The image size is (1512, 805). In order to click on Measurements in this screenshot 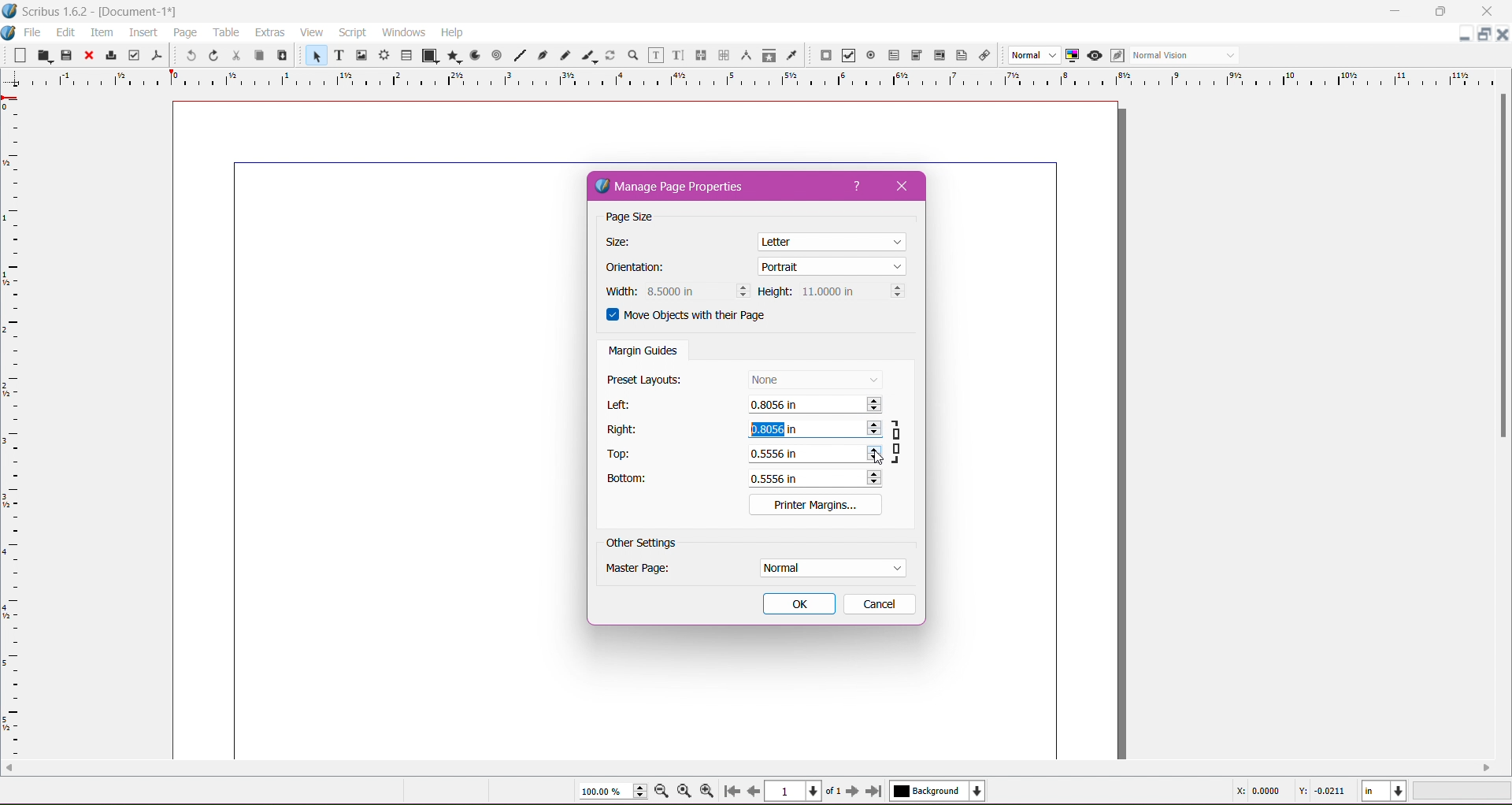, I will do `click(745, 55)`.